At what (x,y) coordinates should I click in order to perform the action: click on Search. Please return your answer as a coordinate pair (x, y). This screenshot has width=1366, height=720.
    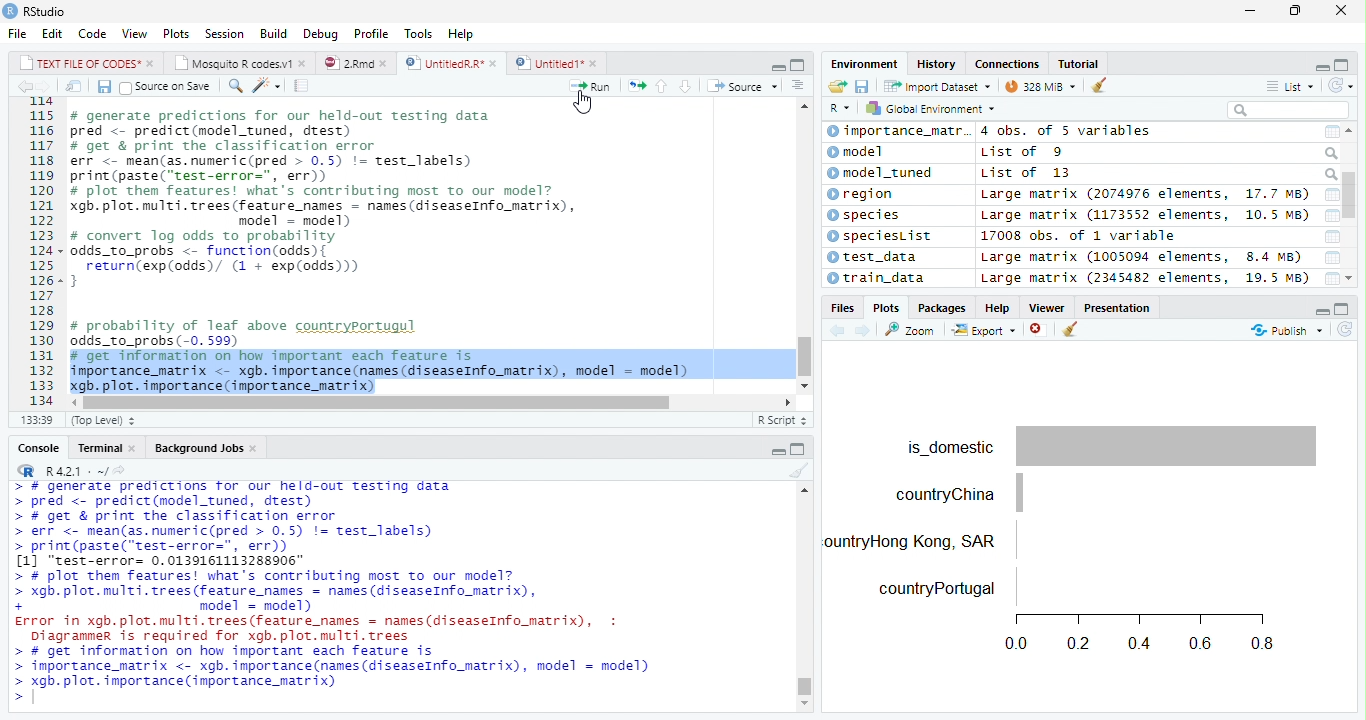
    Looking at the image, I should click on (1288, 110).